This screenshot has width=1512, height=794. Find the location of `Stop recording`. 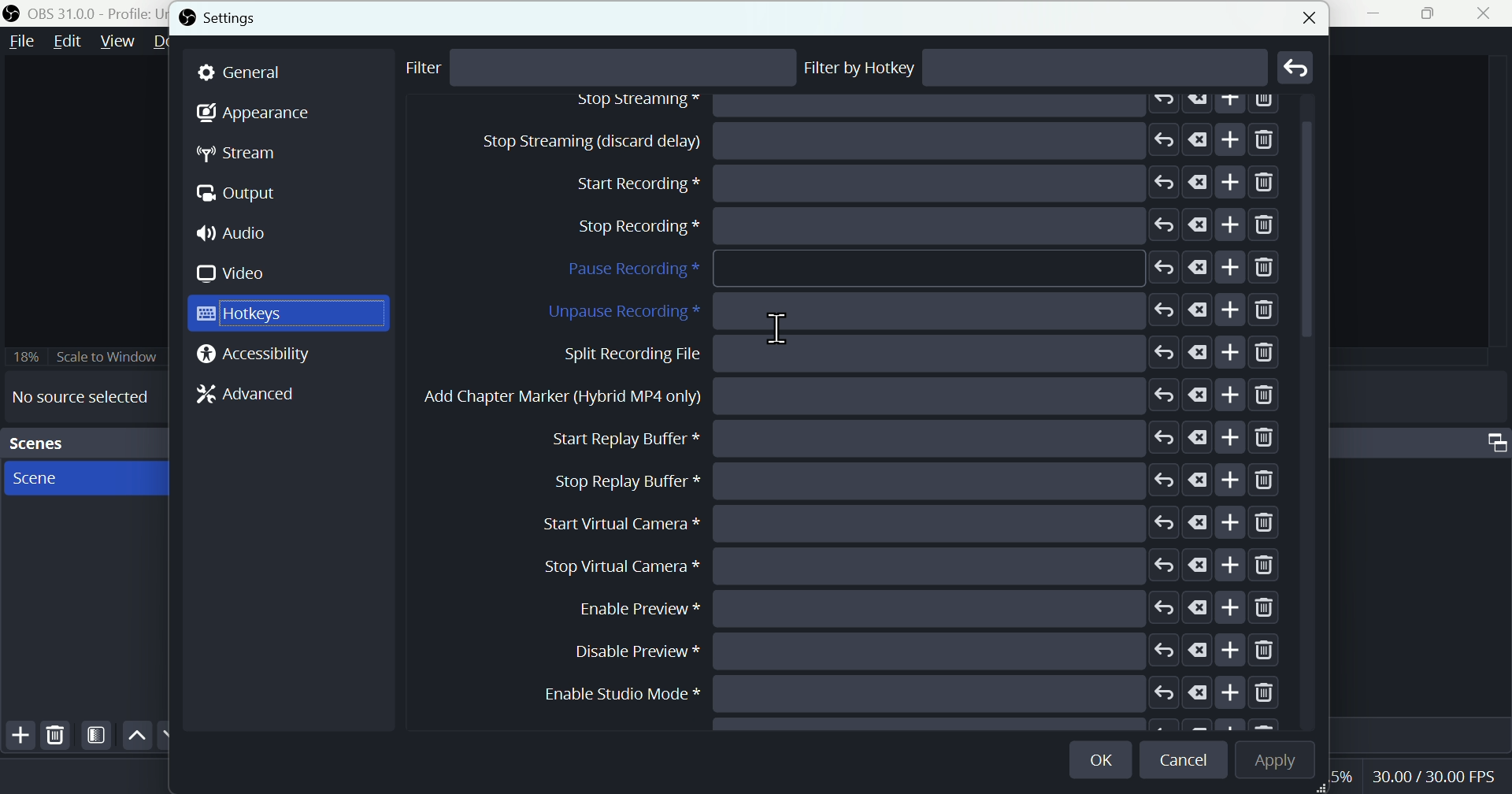

Stop recording is located at coordinates (906, 224).